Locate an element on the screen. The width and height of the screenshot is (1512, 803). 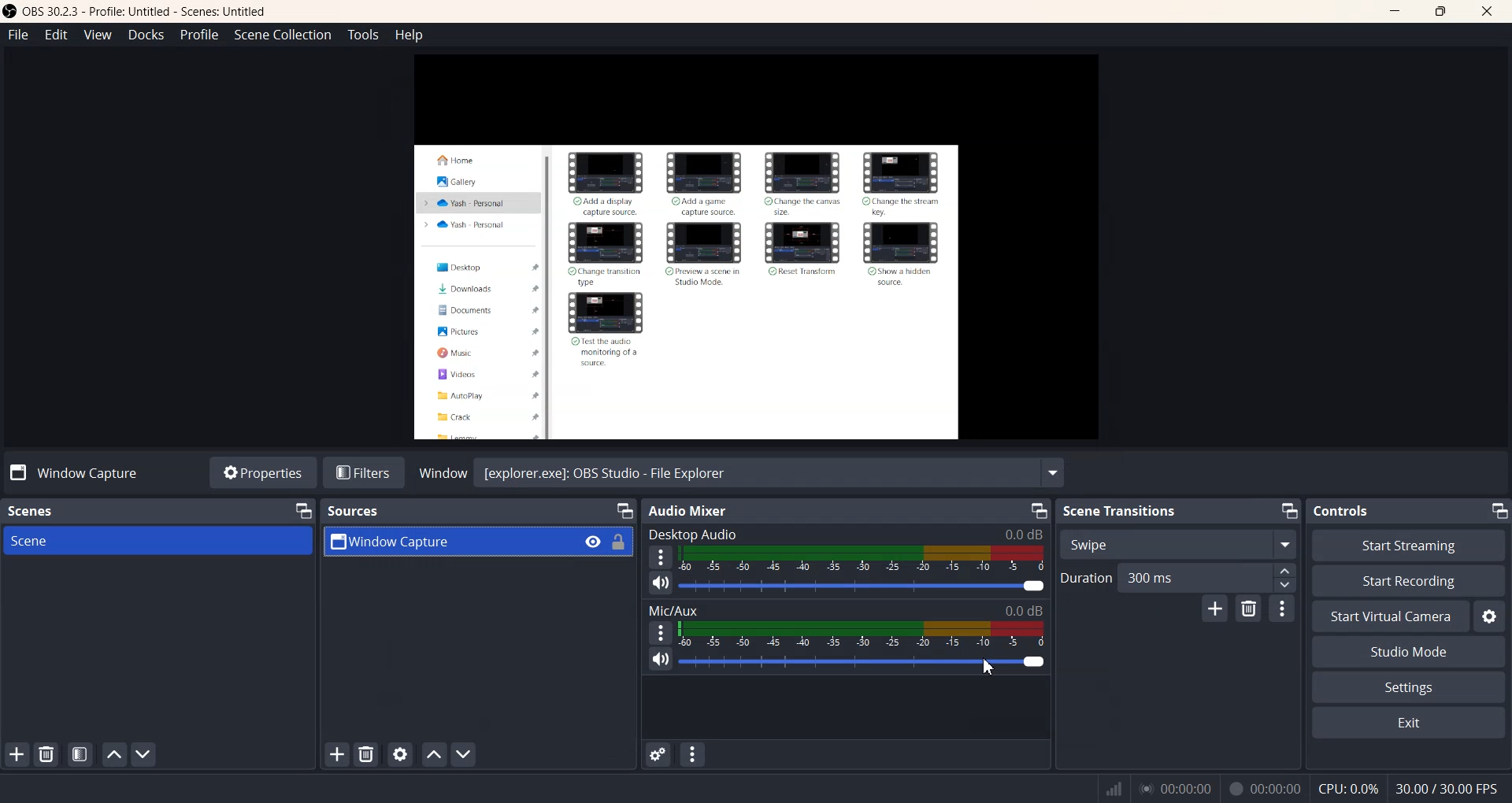
Studio Mode is located at coordinates (1408, 653).